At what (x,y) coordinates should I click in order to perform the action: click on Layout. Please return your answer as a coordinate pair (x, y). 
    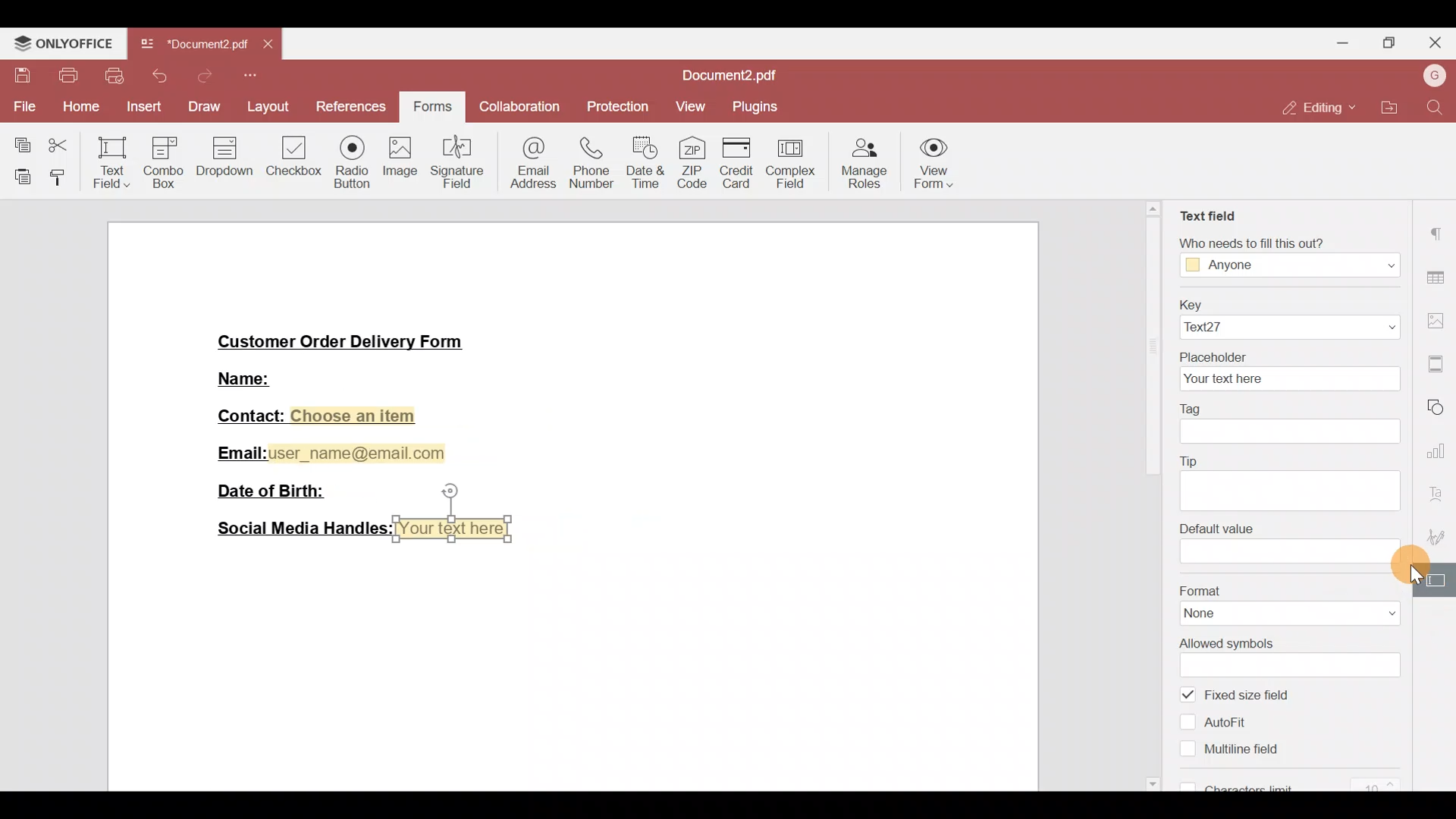
    Looking at the image, I should click on (266, 105).